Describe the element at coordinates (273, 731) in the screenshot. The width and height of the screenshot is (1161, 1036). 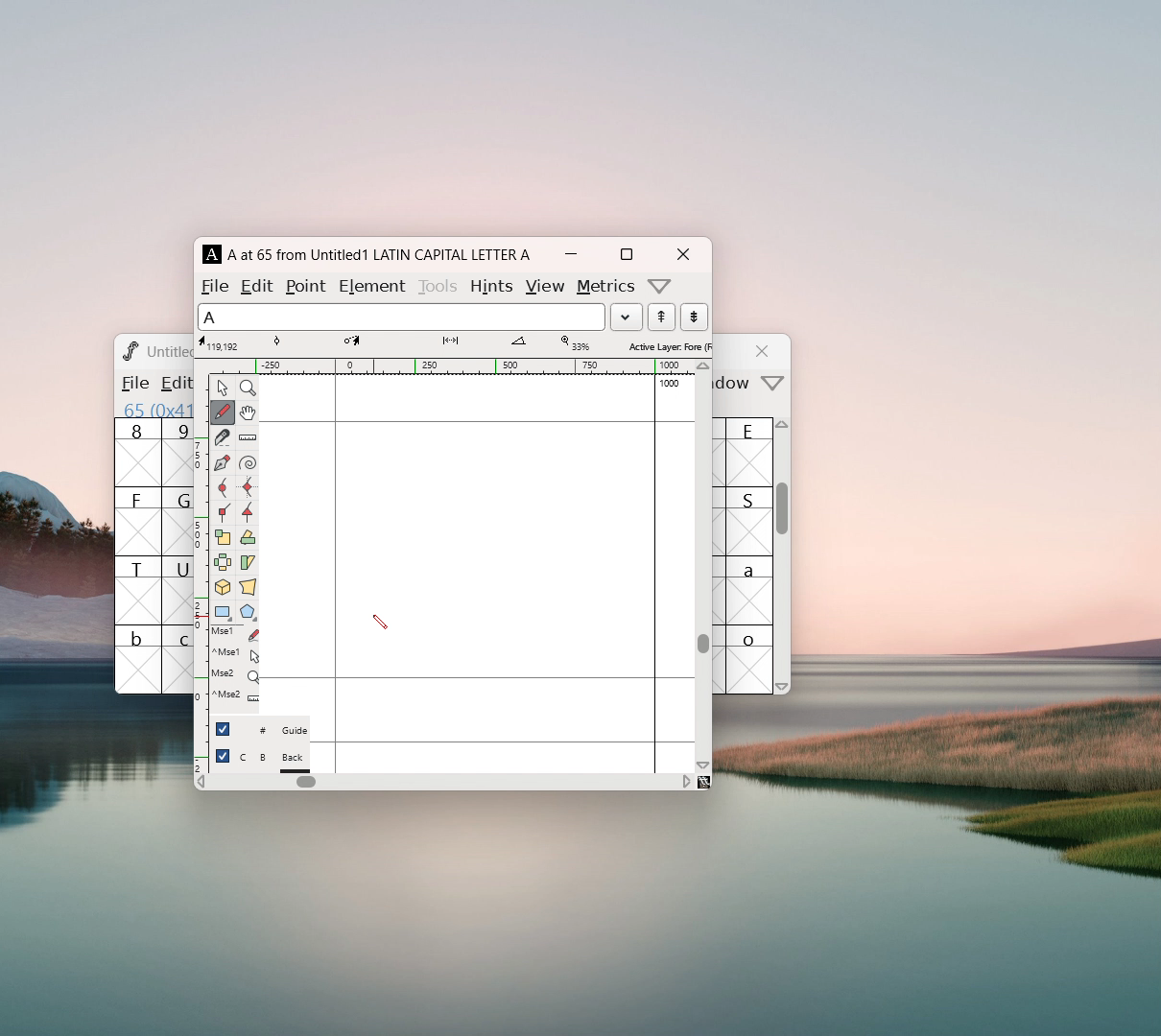
I see `# Guide` at that location.